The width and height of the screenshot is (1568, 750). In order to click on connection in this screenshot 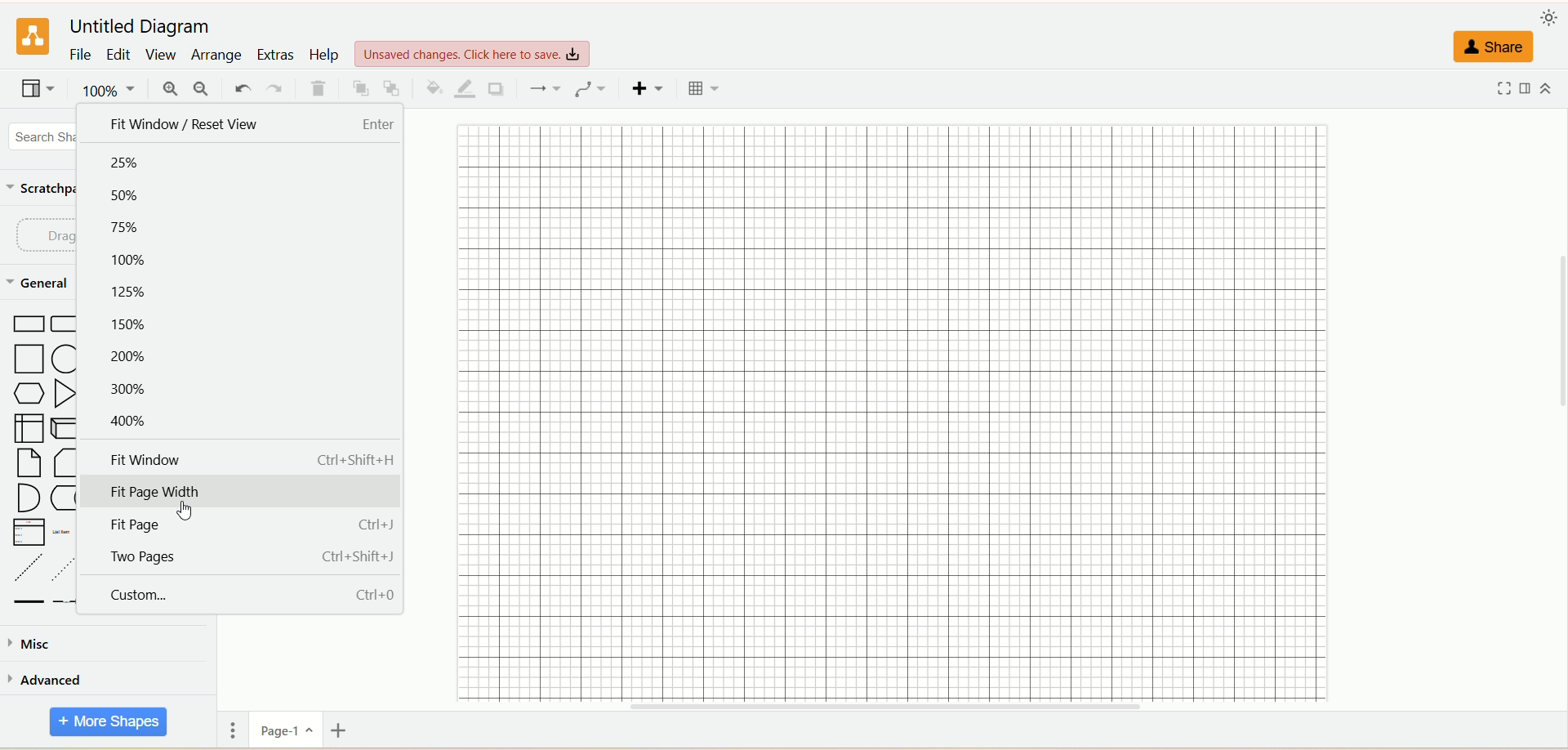, I will do `click(543, 87)`.